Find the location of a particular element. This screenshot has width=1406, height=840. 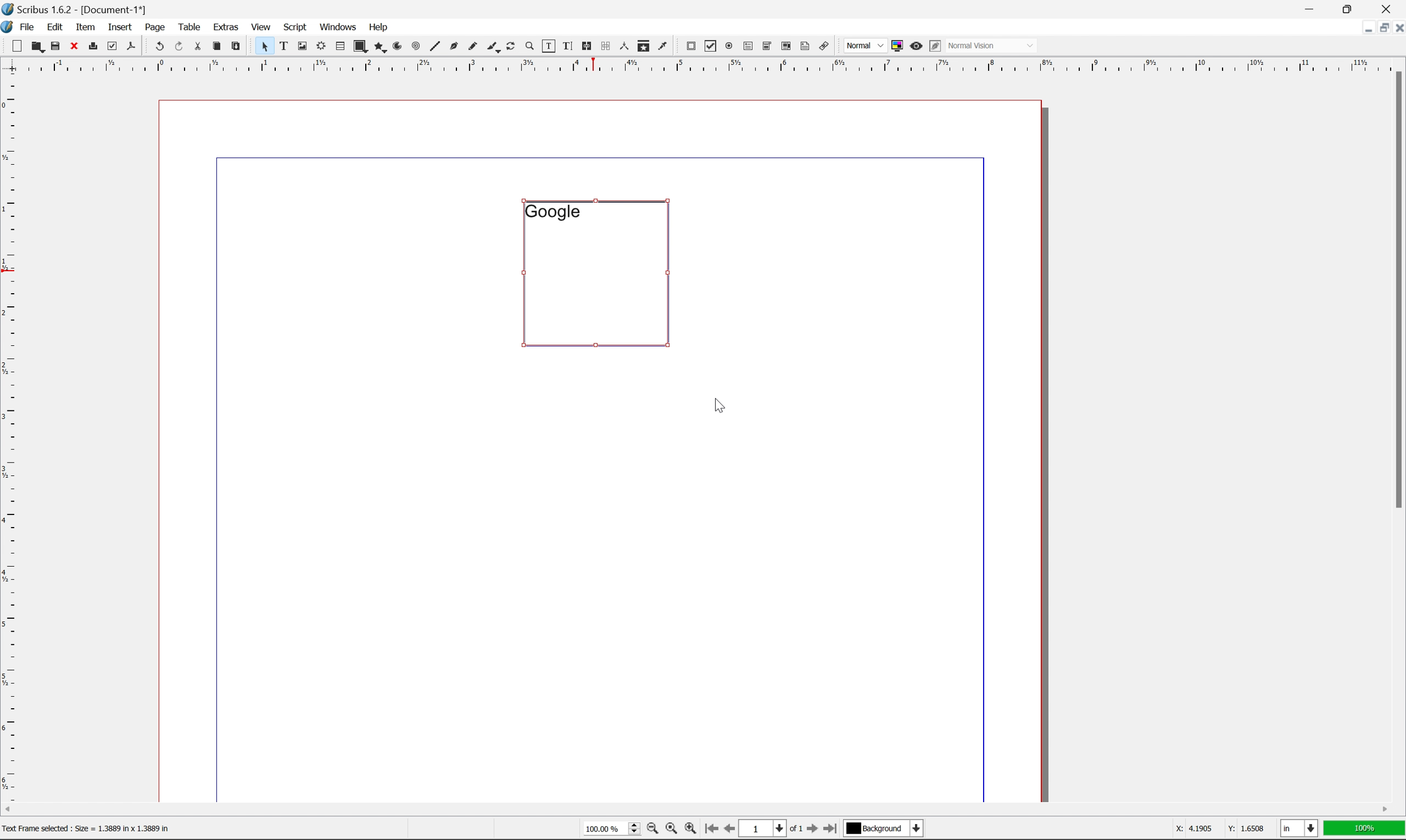

close is located at coordinates (75, 45).